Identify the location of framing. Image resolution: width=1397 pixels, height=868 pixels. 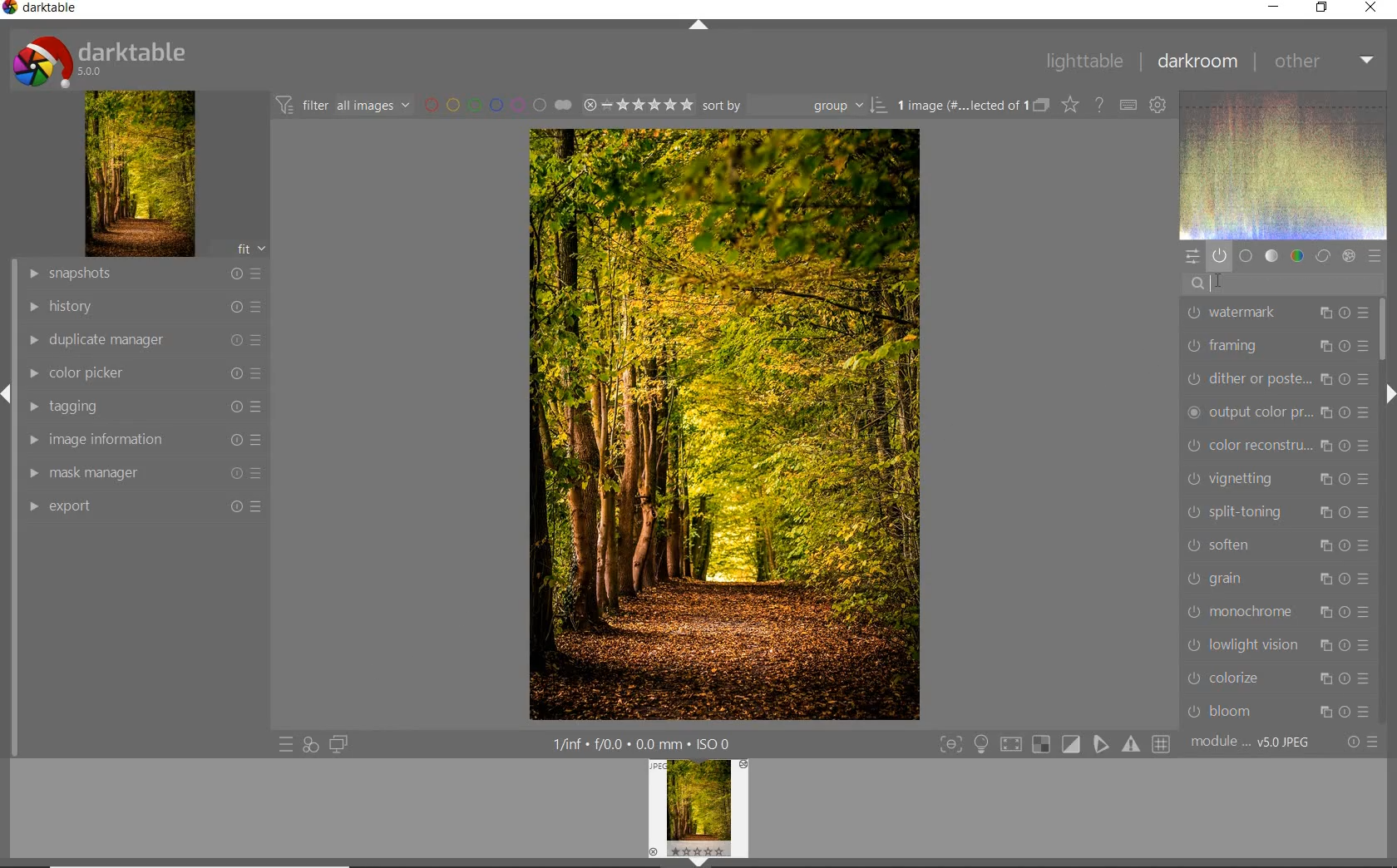
(1275, 345).